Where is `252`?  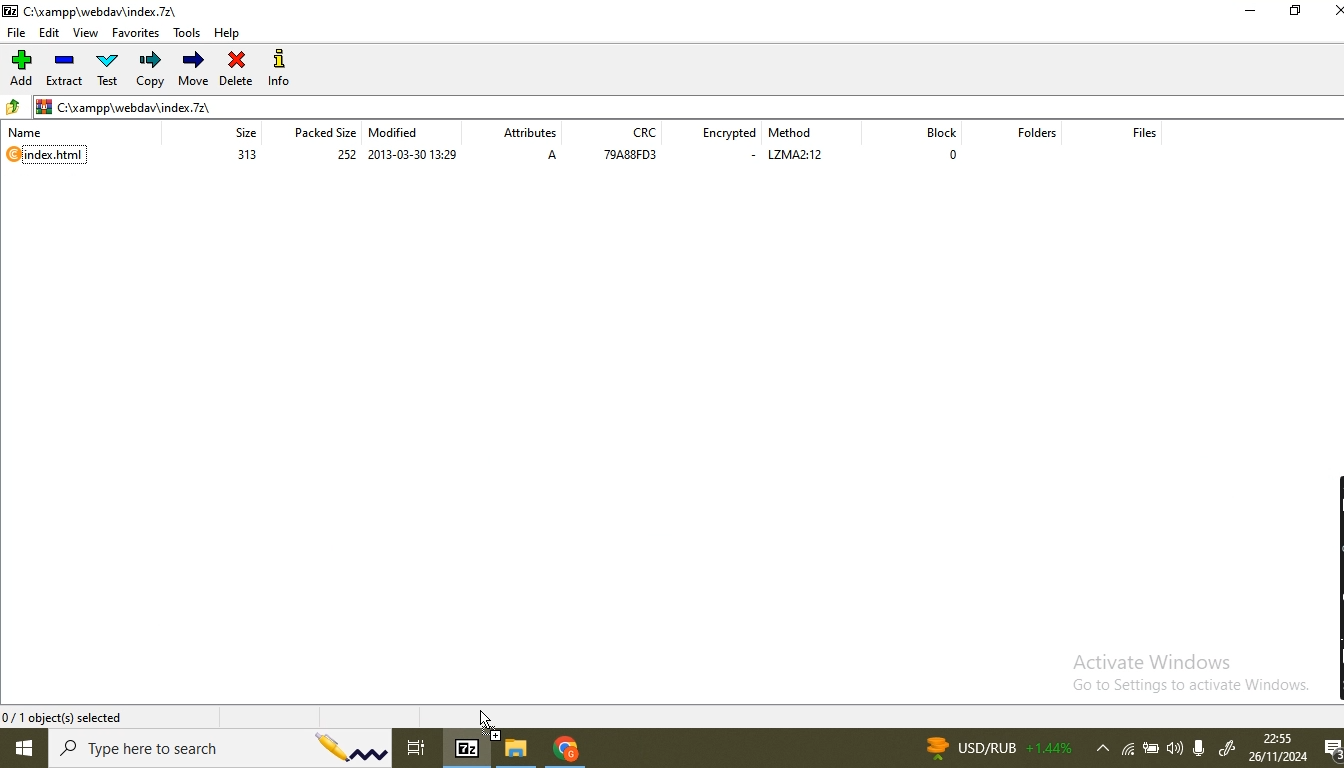
252 is located at coordinates (339, 157).